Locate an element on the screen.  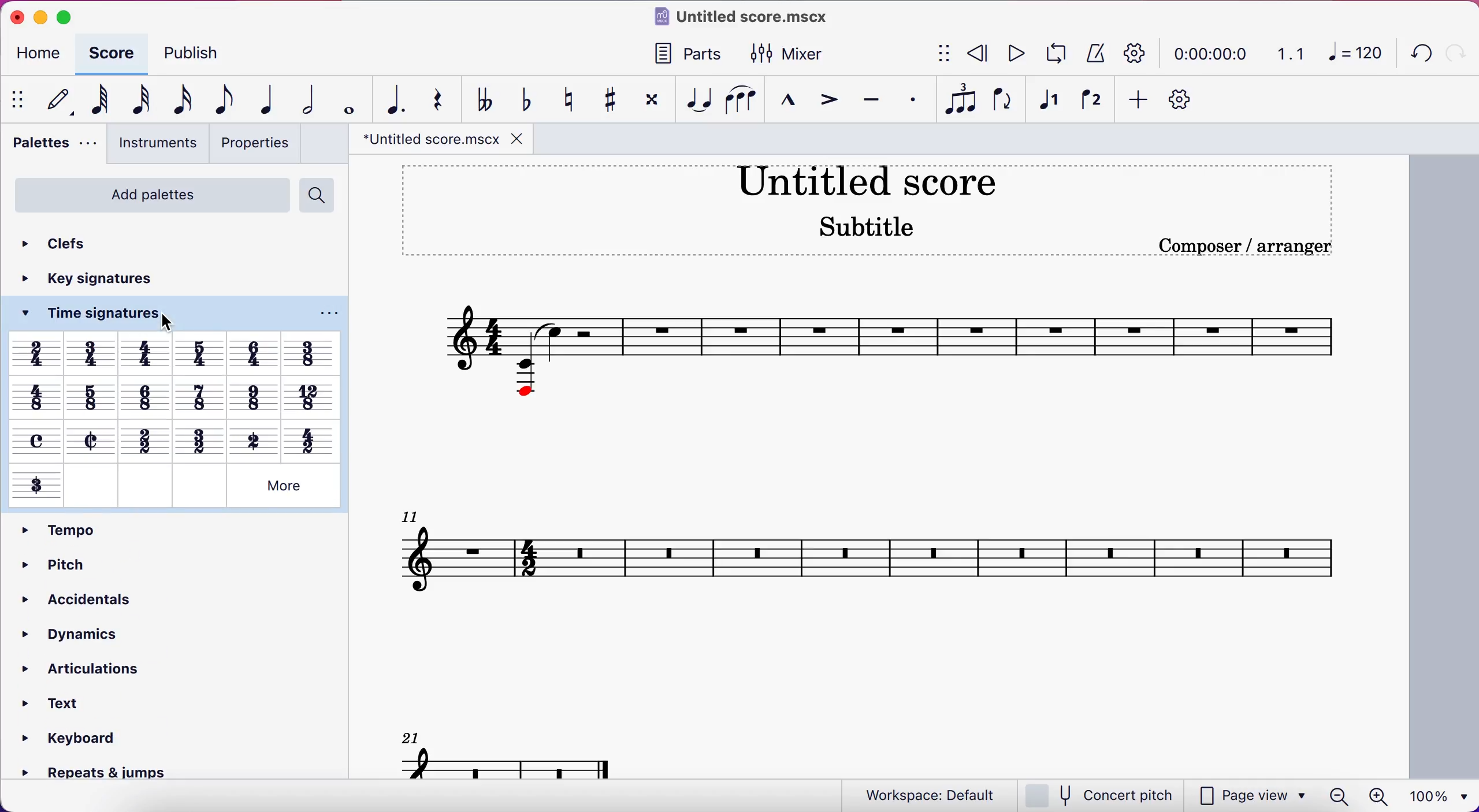
repeats and jumps is located at coordinates (102, 772).